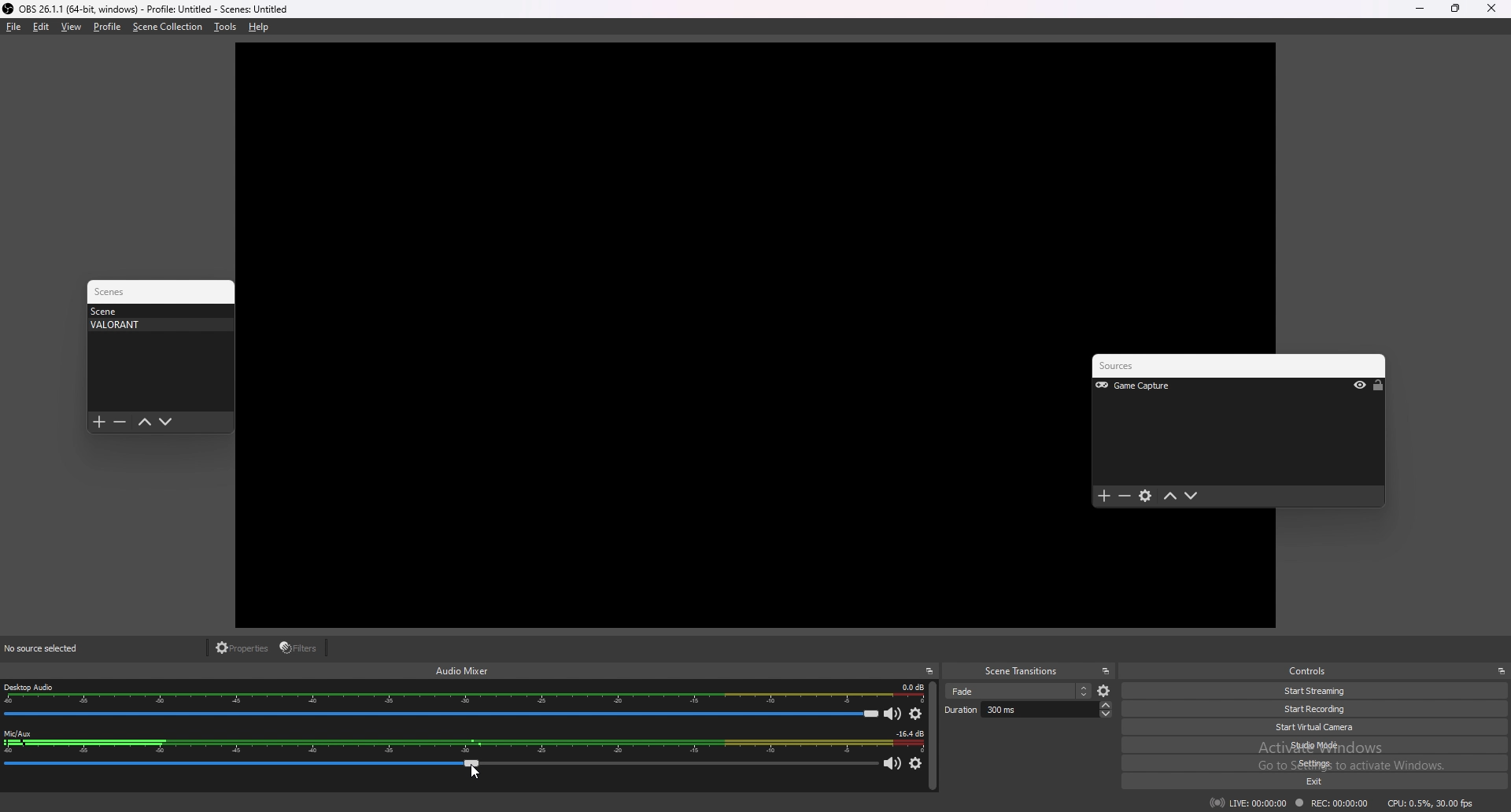 This screenshot has height=812, width=1511. Describe the element at coordinates (933, 736) in the screenshot. I see `scroll bar` at that location.